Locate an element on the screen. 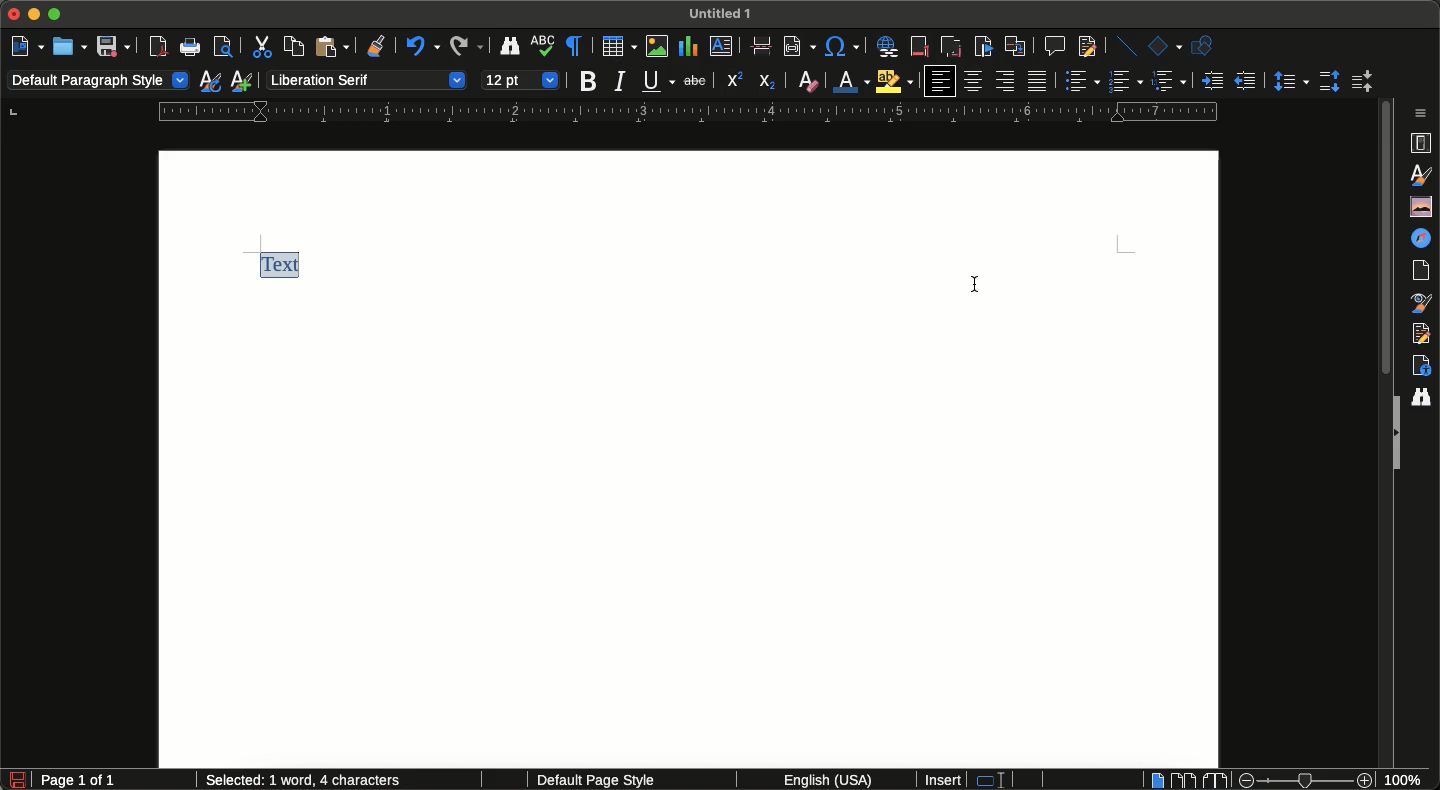 The width and height of the screenshot is (1440, 790). Insert special characters is located at coordinates (842, 48).